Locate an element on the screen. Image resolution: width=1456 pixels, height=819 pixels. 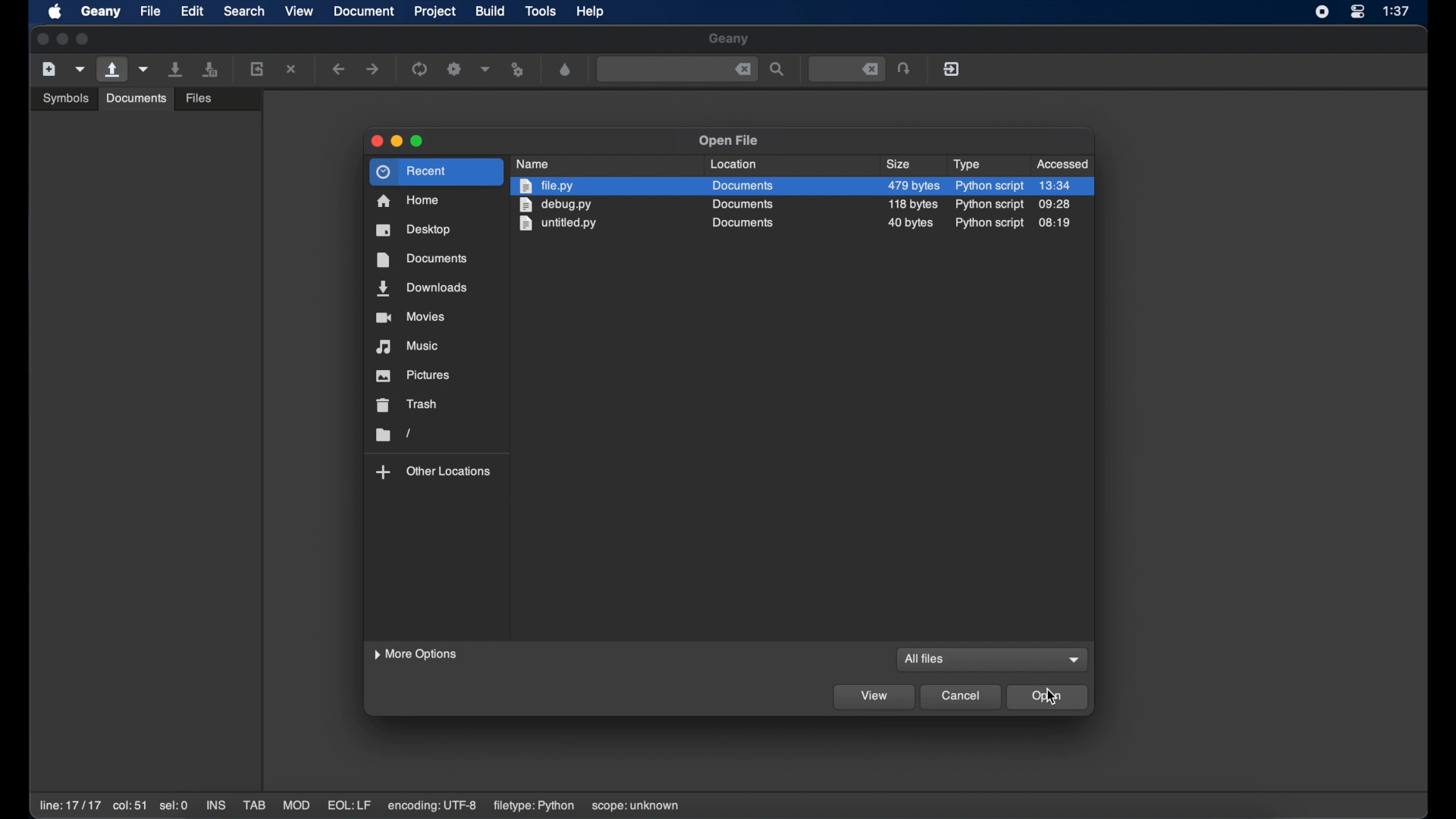
edit is located at coordinates (193, 11).